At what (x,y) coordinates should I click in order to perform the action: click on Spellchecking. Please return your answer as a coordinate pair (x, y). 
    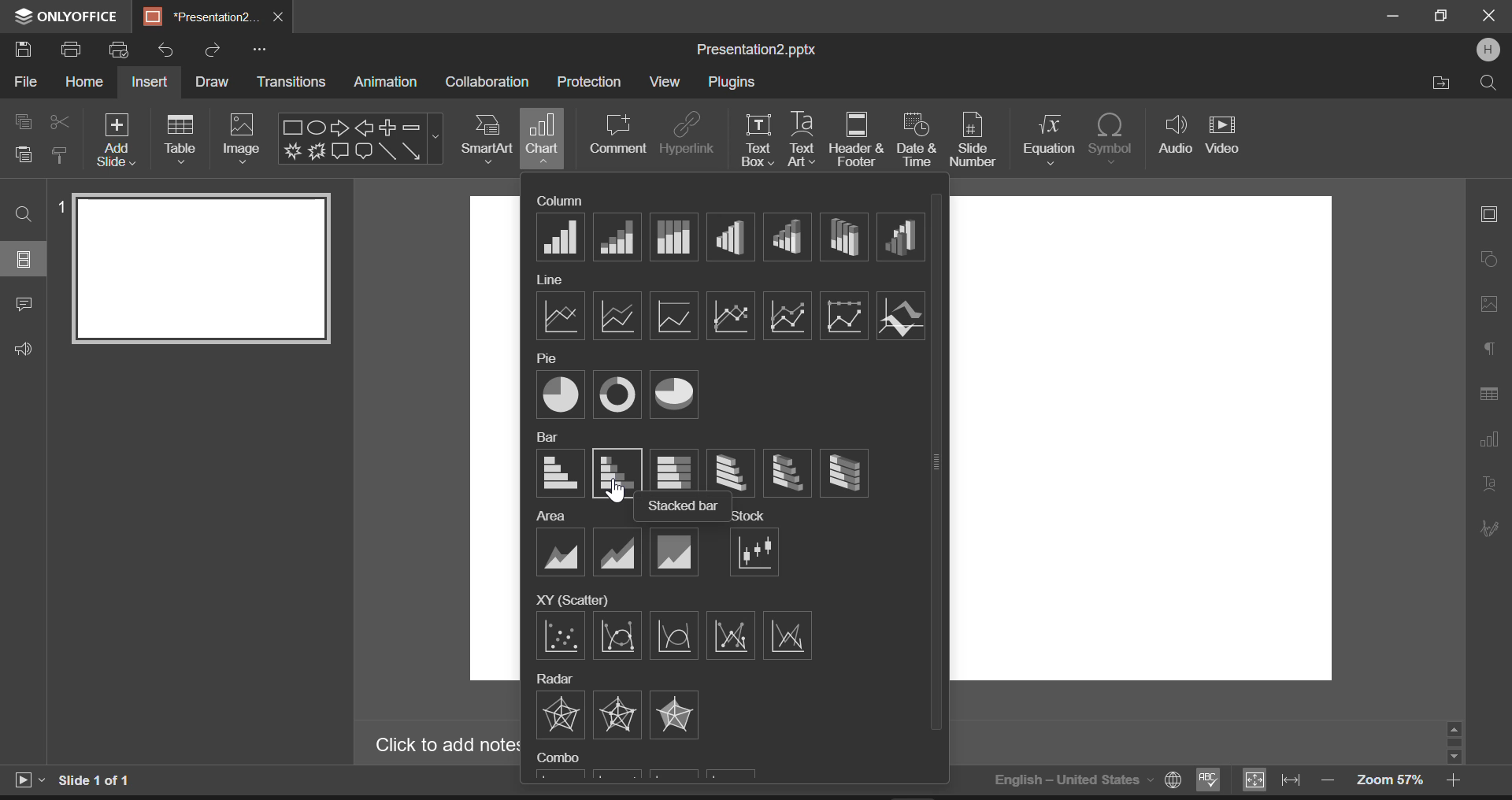
    Looking at the image, I should click on (1209, 781).